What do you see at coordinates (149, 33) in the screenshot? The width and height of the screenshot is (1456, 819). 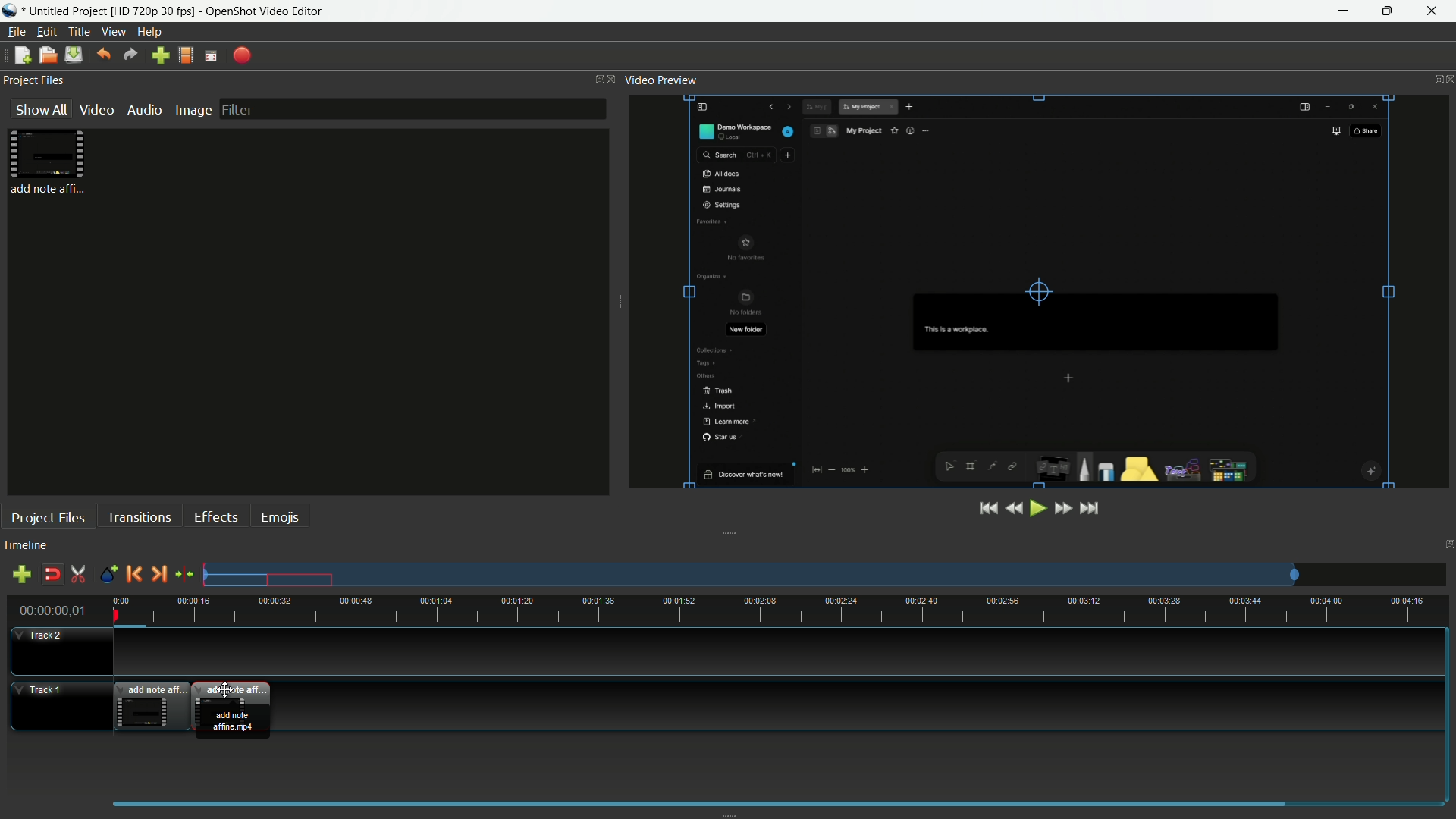 I see `help menu` at bounding box center [149, 33].